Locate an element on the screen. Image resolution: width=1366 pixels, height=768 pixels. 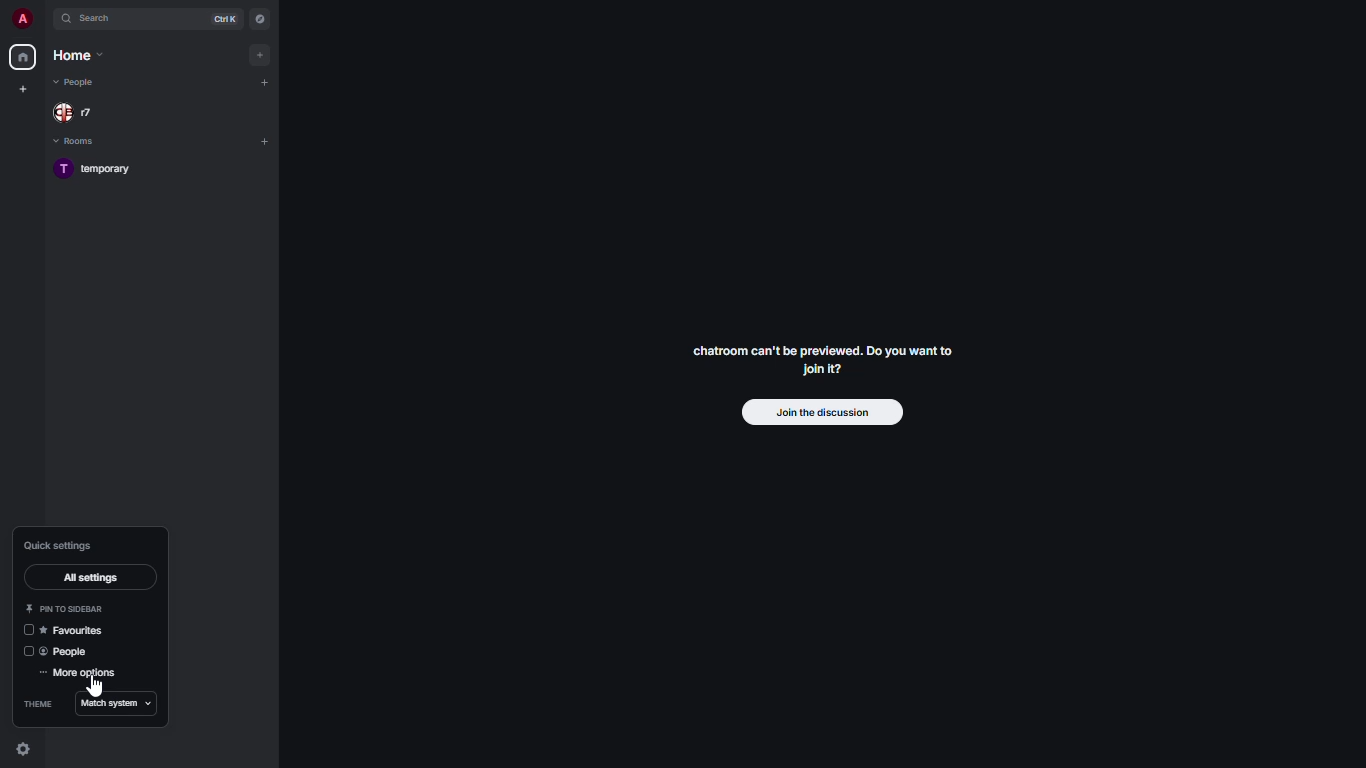
all settings is located at coordinates (92, 578).